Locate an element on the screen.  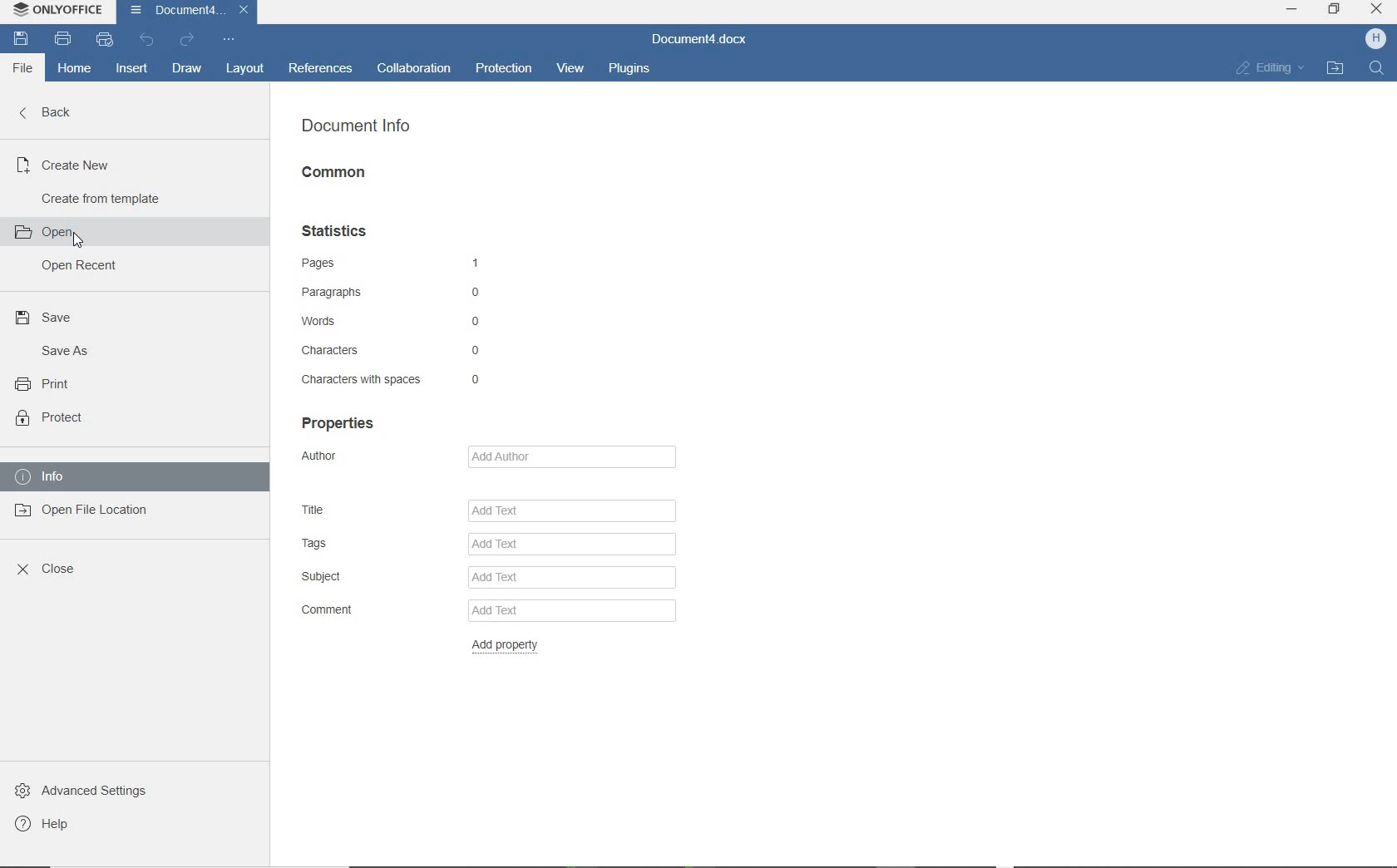
print is located at coordinates (43, 385).